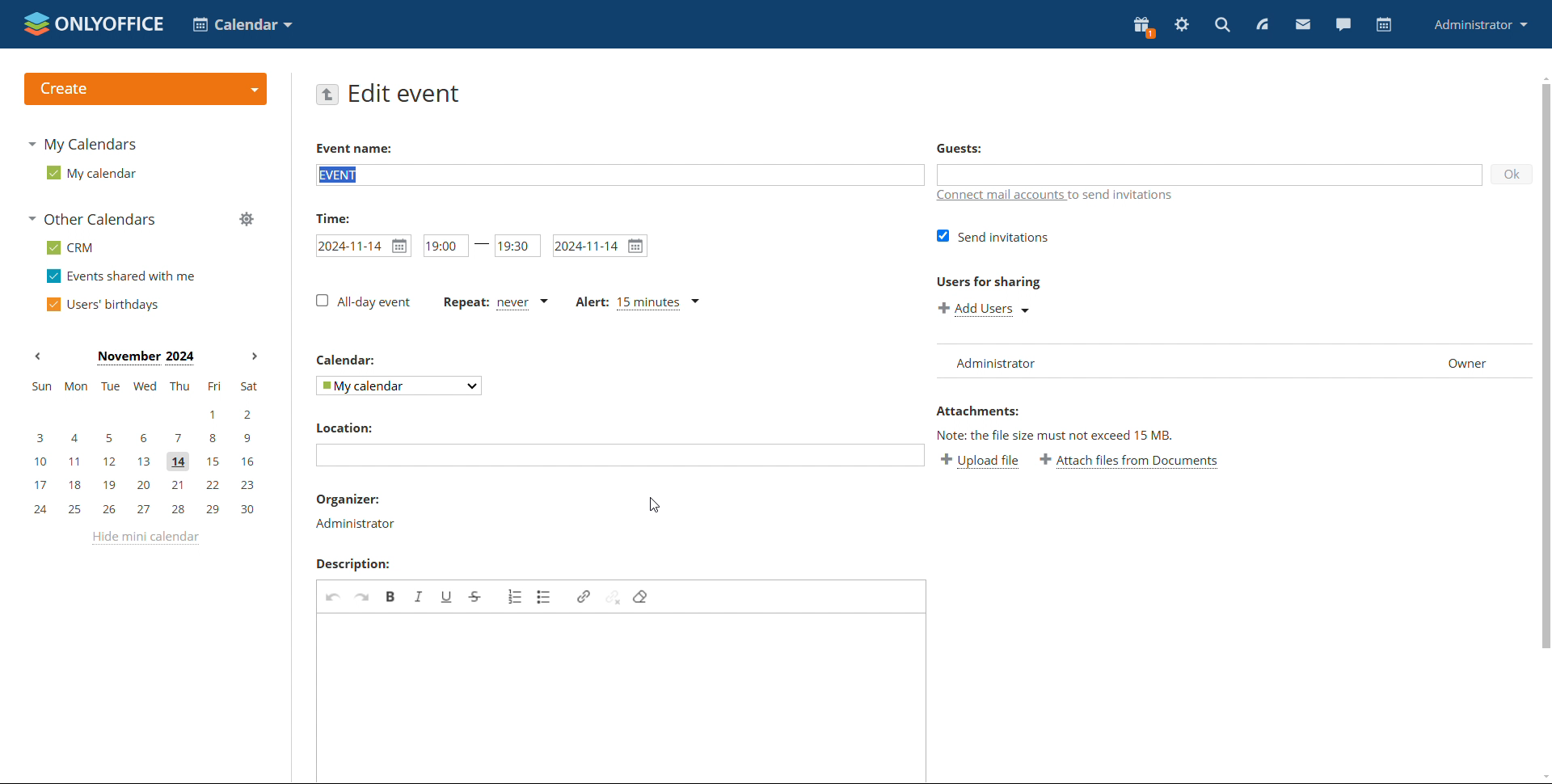 Image resolution: width=1552 pixels, height=784 pixels. I want to click on current month, so click(145, 358).